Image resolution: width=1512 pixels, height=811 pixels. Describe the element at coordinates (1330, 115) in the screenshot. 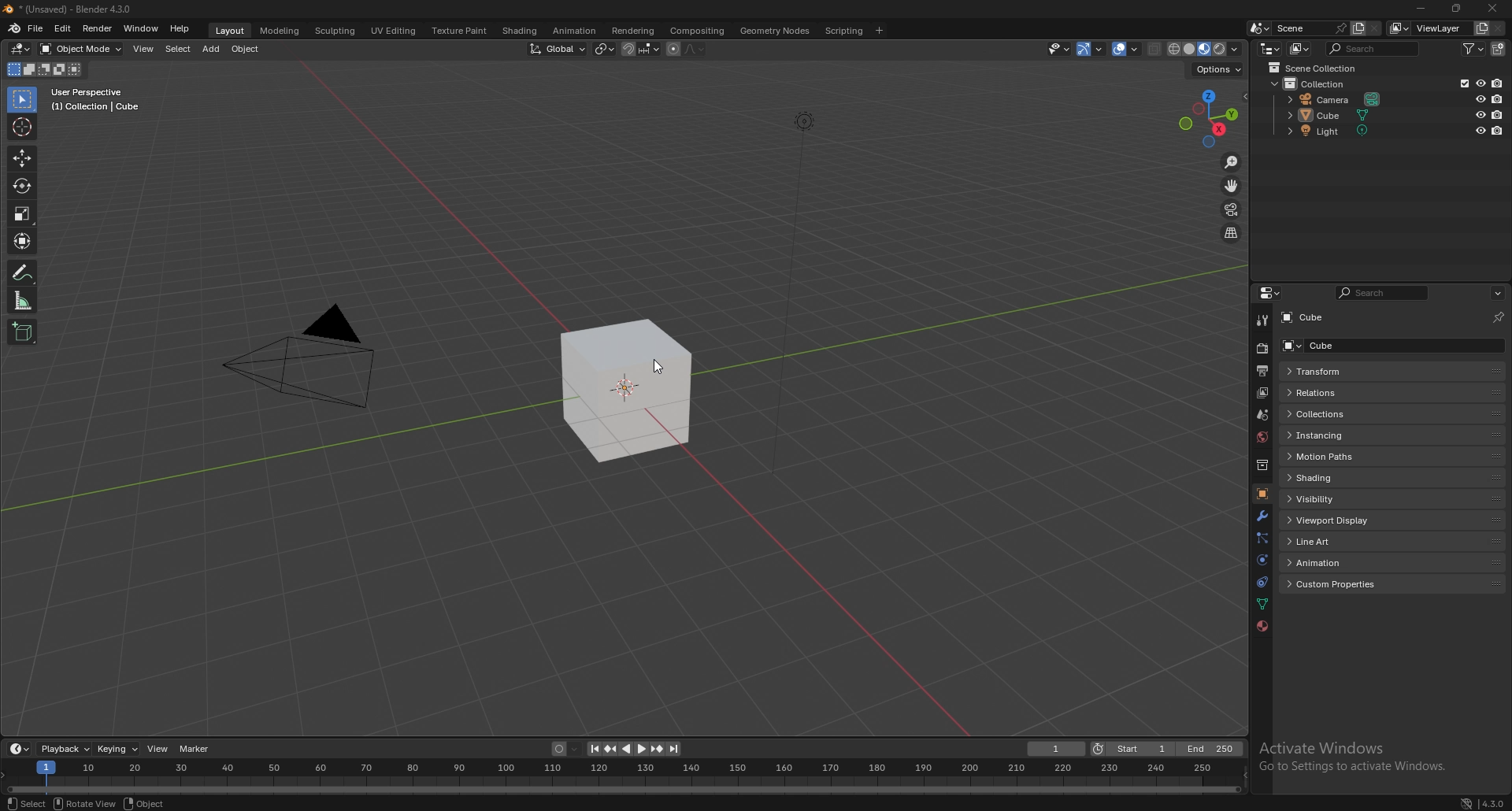

I see `cube` at that location.